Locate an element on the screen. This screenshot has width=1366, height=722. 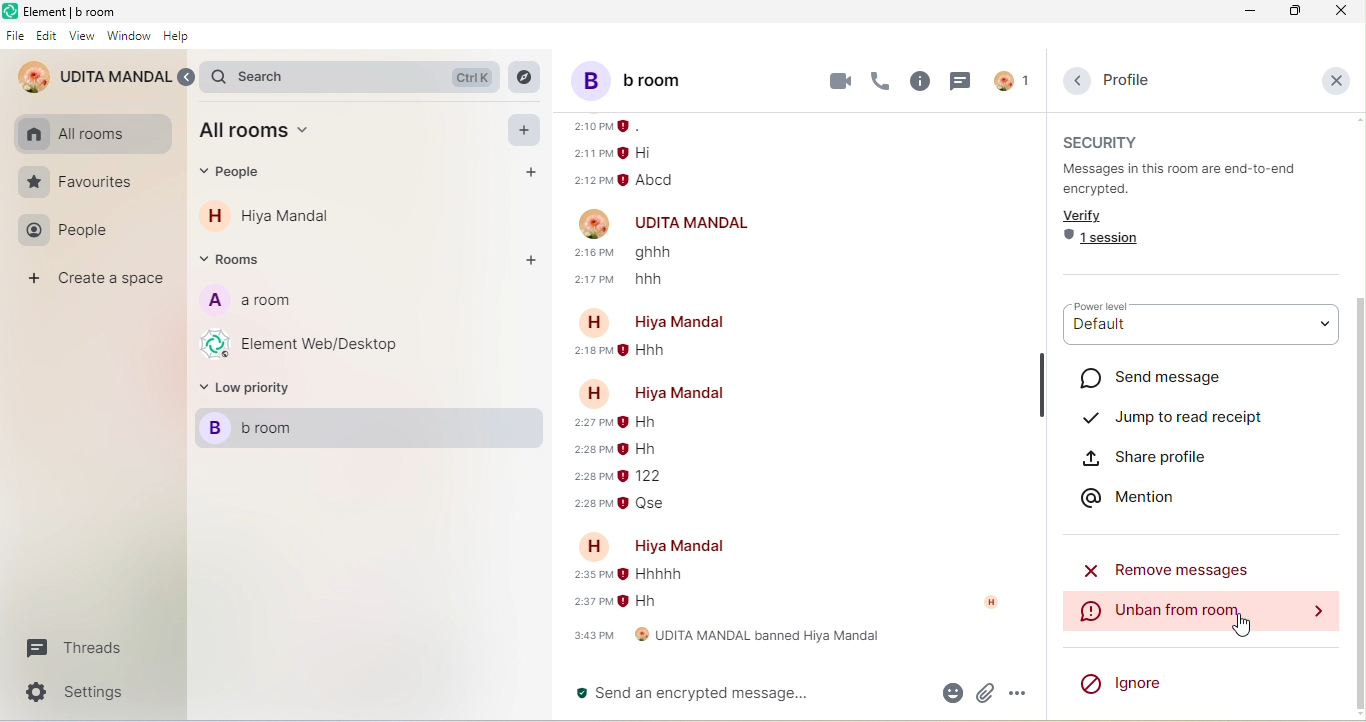
older message is located at coordinates (638, 157).